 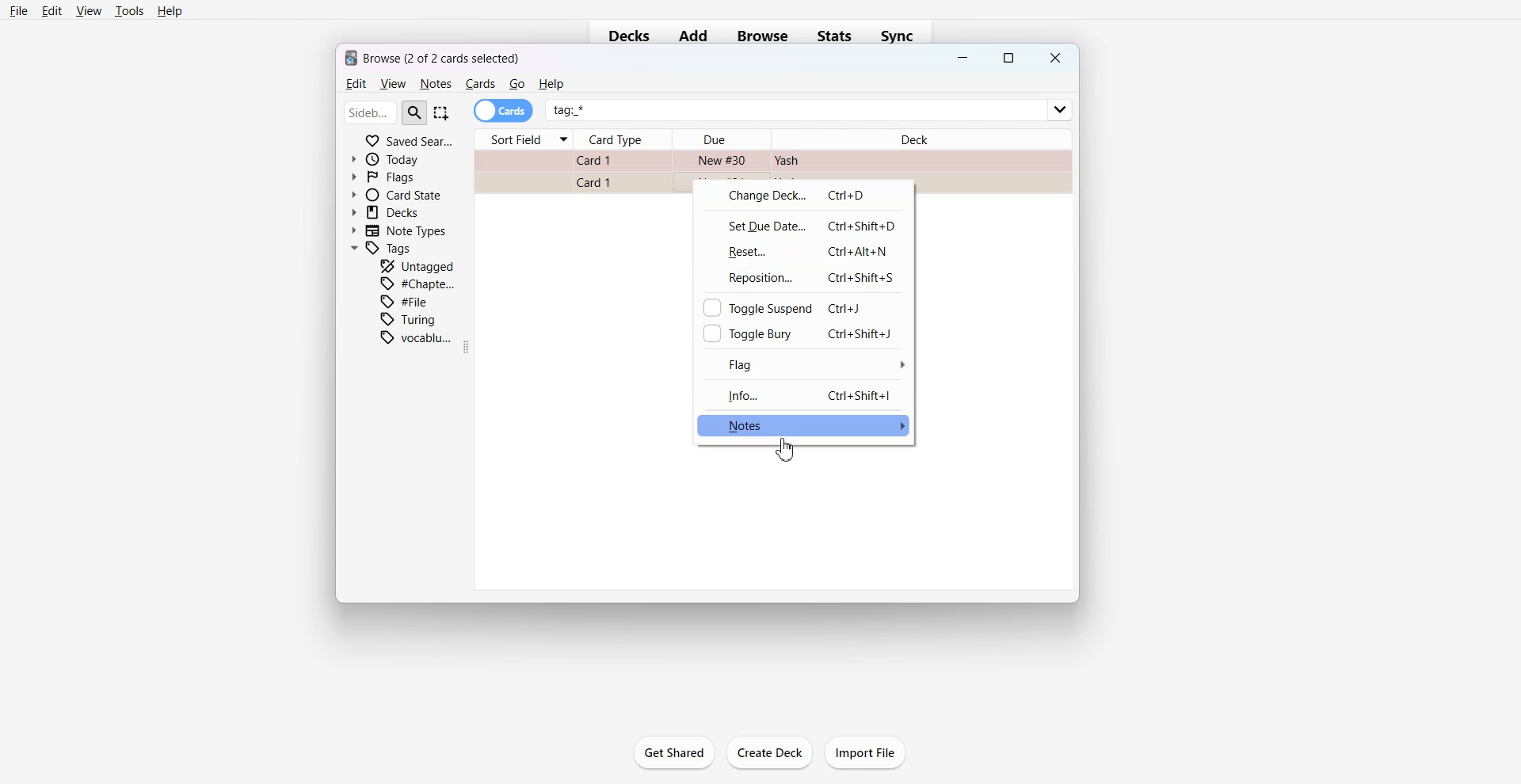 What do you see at coordinates (19, 10) in the screenshot?
I see `File` at bounding box center [19, 10].